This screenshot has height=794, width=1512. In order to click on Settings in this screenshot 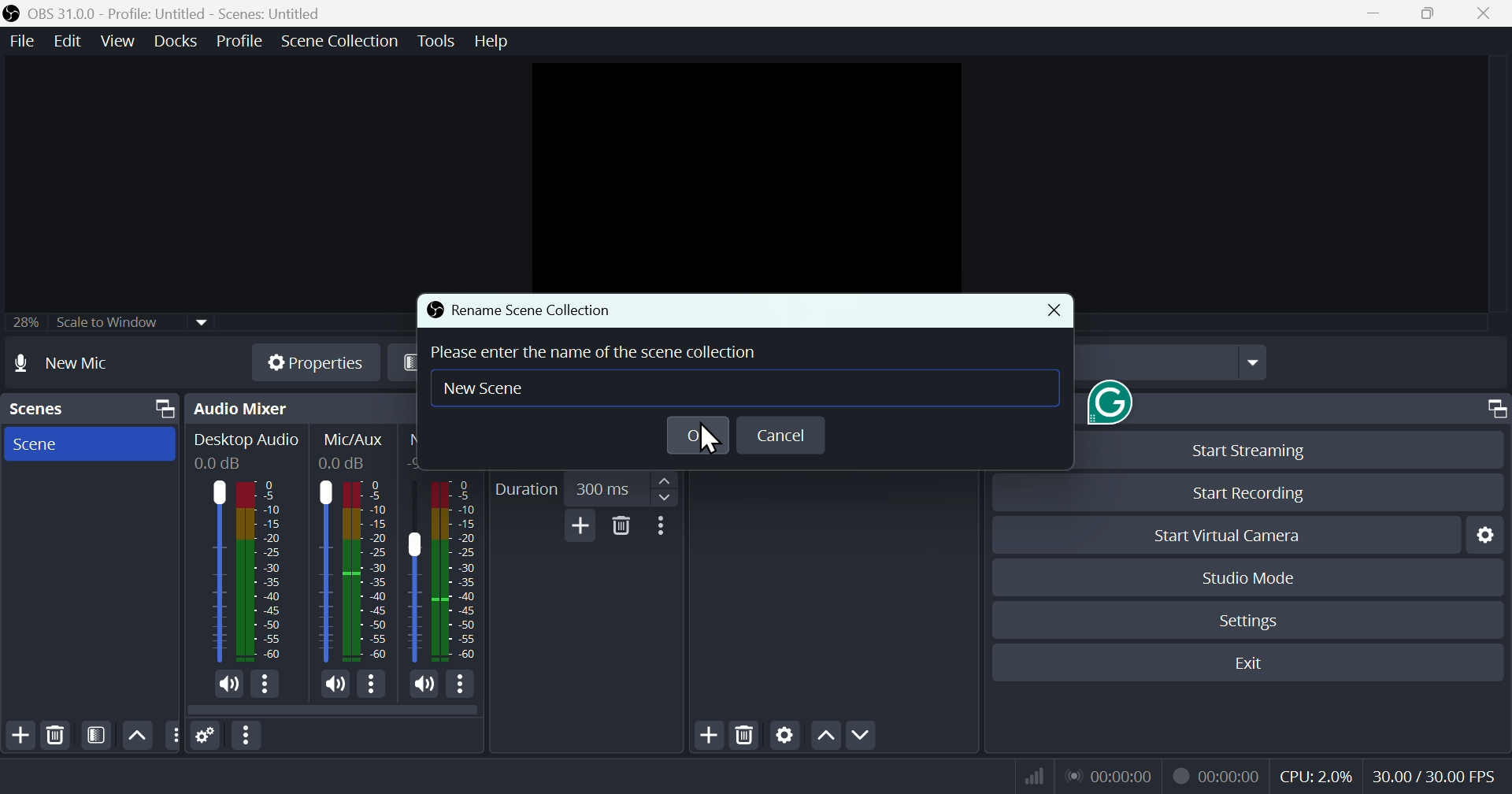, I will do `click(1491, 540)`.